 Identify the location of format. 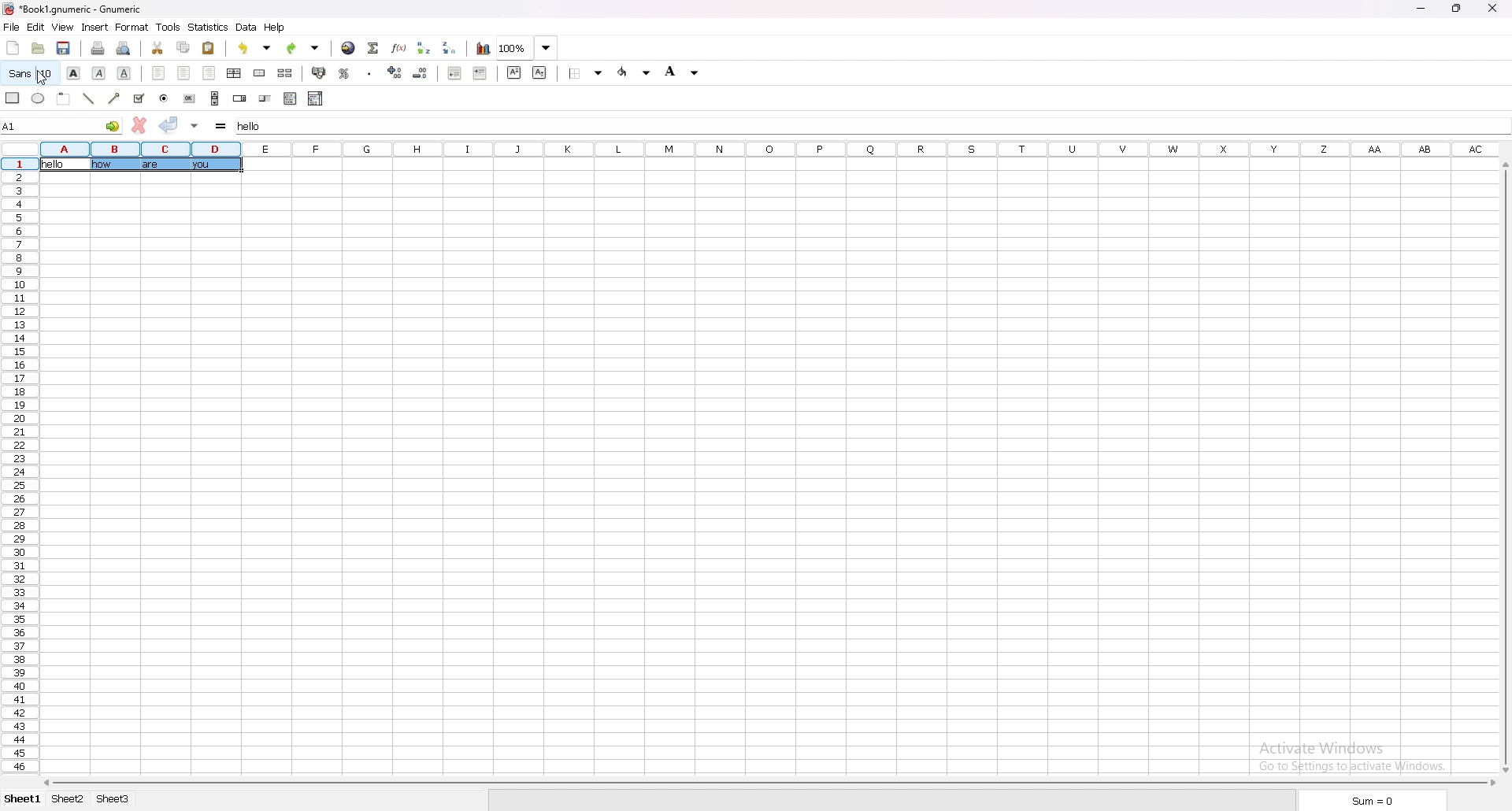
(132, 28).